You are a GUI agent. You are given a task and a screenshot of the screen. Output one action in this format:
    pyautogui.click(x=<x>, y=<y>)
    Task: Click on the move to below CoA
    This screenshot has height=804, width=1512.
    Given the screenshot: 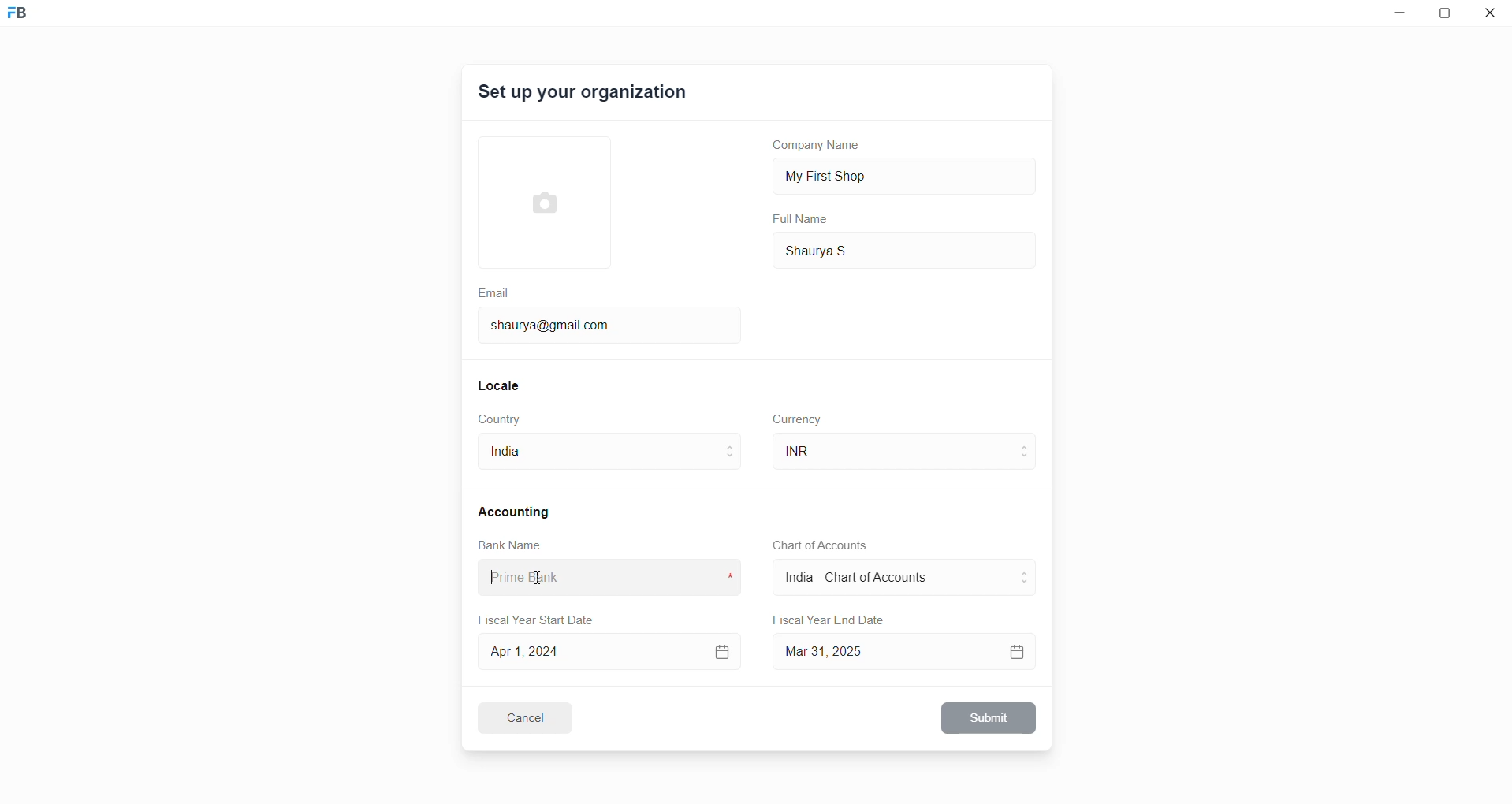 What is the action you would take?
    pyautogui.click(x=1026, y=585)
    